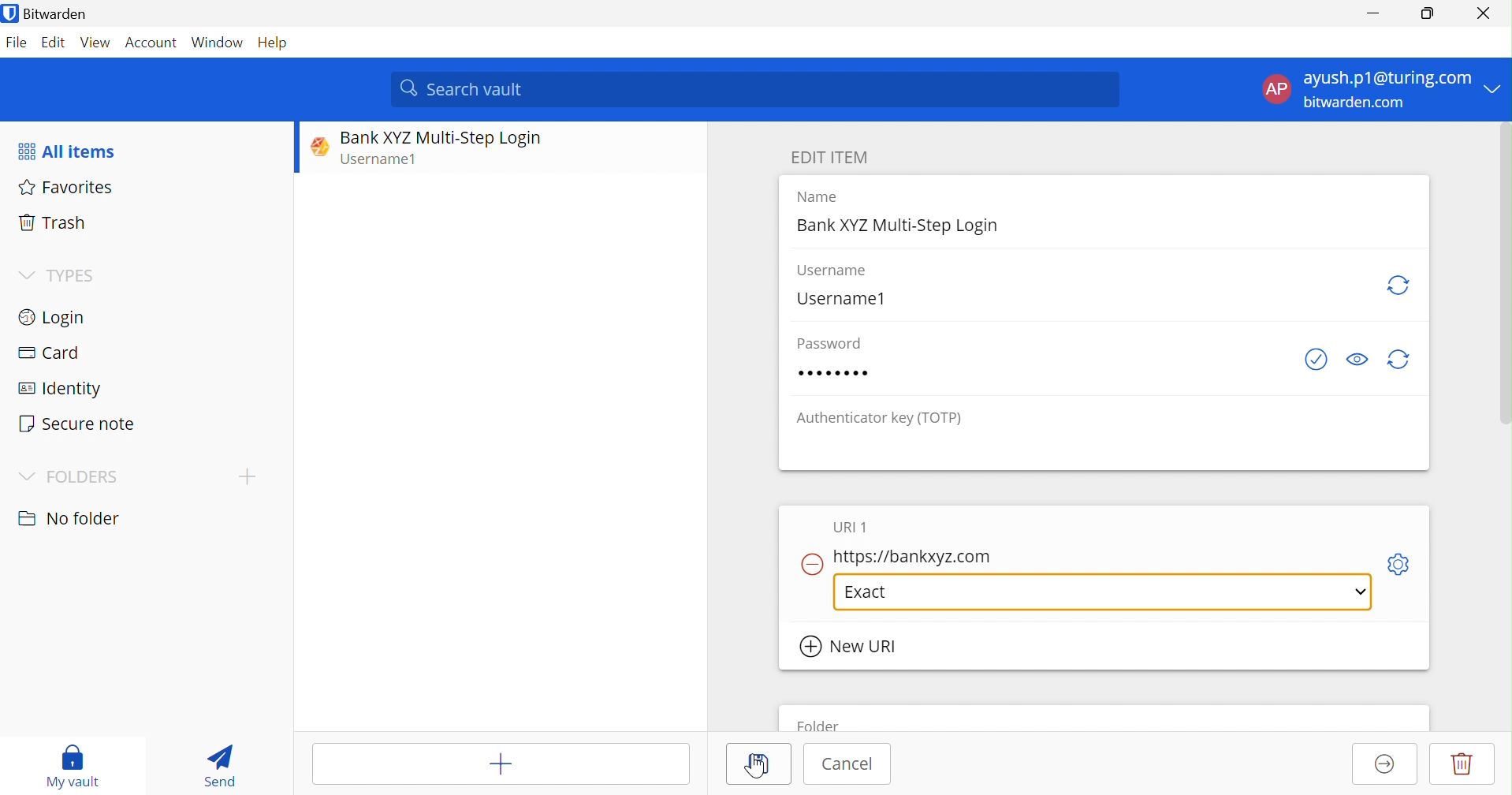 The image size is (1512, 795). I want to click on Bank XYZ Multi-Step Login, so click(900, 226).